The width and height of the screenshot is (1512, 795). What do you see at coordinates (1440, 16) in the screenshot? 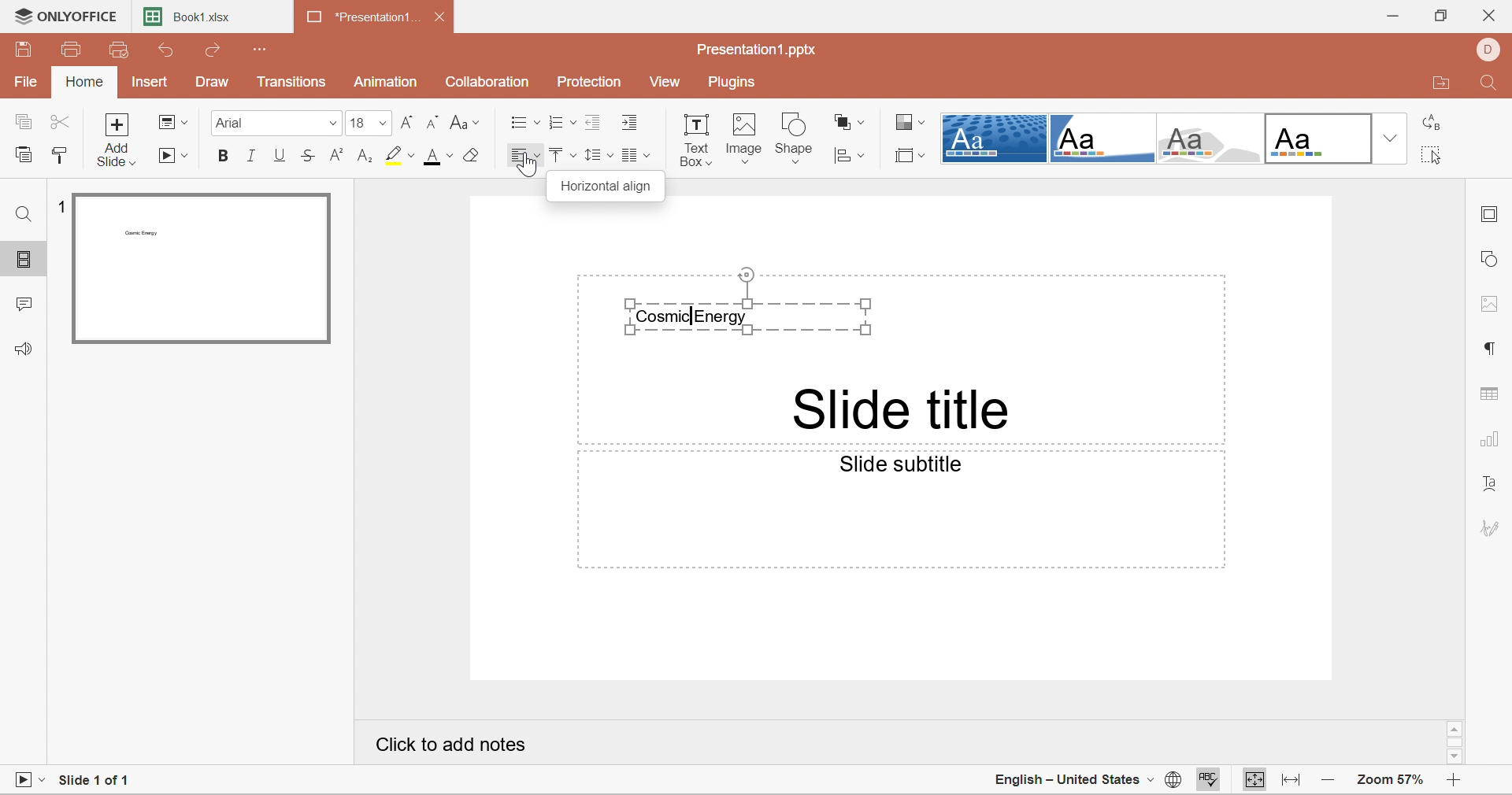
I see `Restore Down` at bounding box center [1440, 16].